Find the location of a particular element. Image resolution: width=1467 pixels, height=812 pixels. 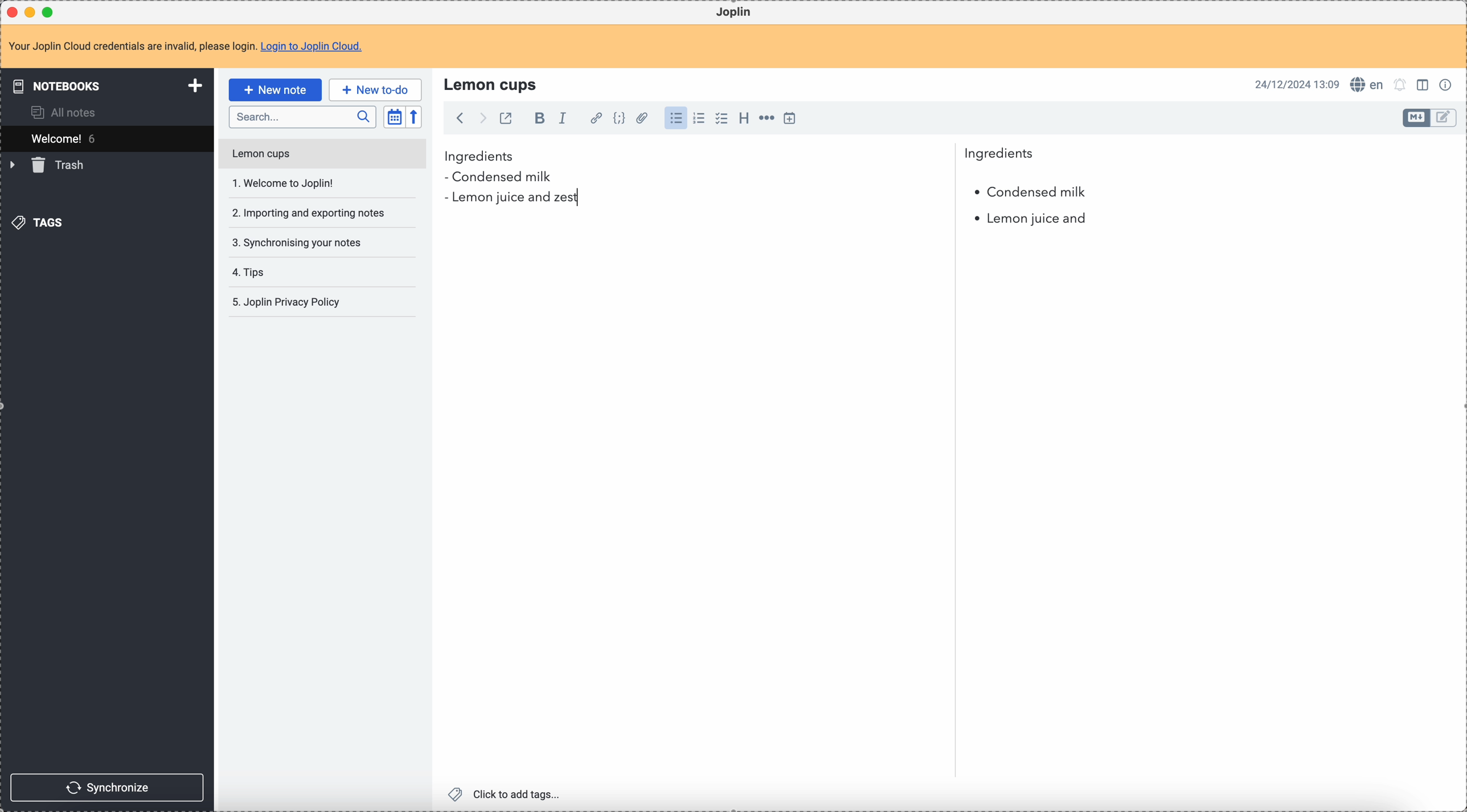

all notes is located at coordinates (67, 112).